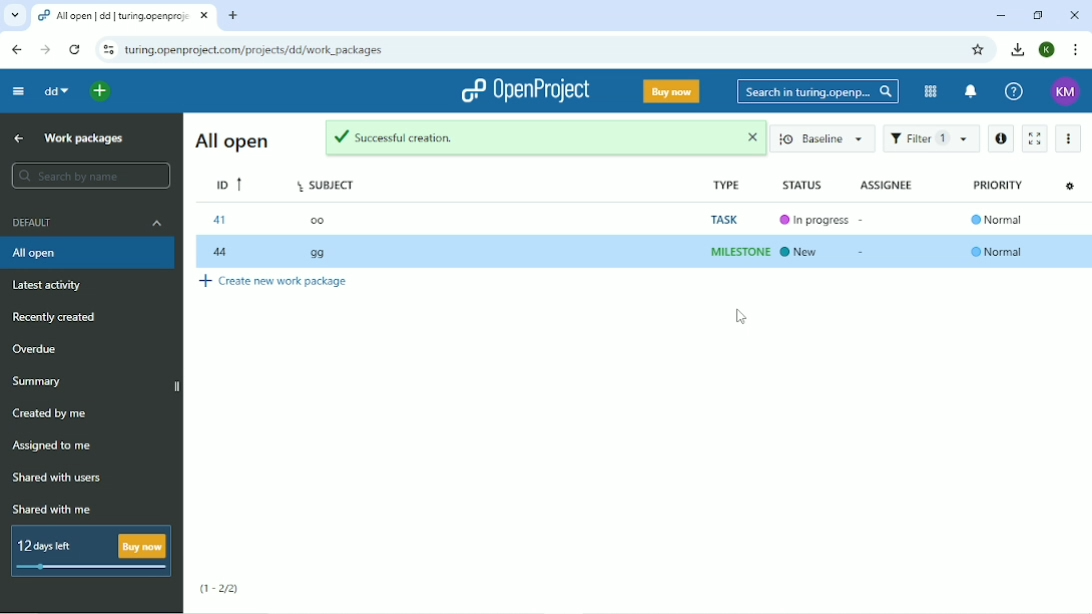  I want to click on To notification center, so click(971, 92).